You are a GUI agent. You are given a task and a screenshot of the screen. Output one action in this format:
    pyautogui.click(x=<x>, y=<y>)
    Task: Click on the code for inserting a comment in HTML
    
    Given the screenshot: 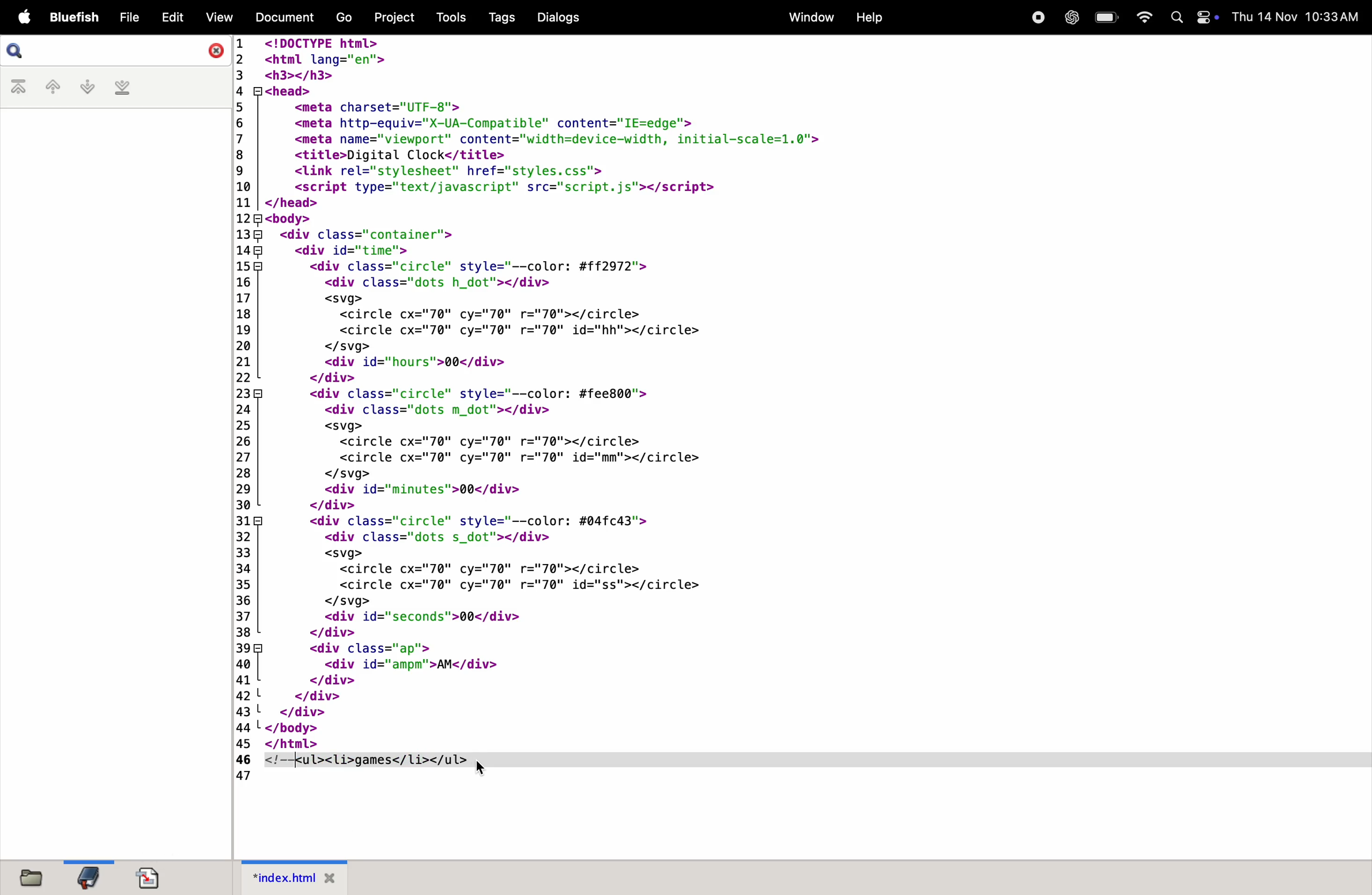 What is the action you would take?
    pyautogui.click(x=661, y=393)
    